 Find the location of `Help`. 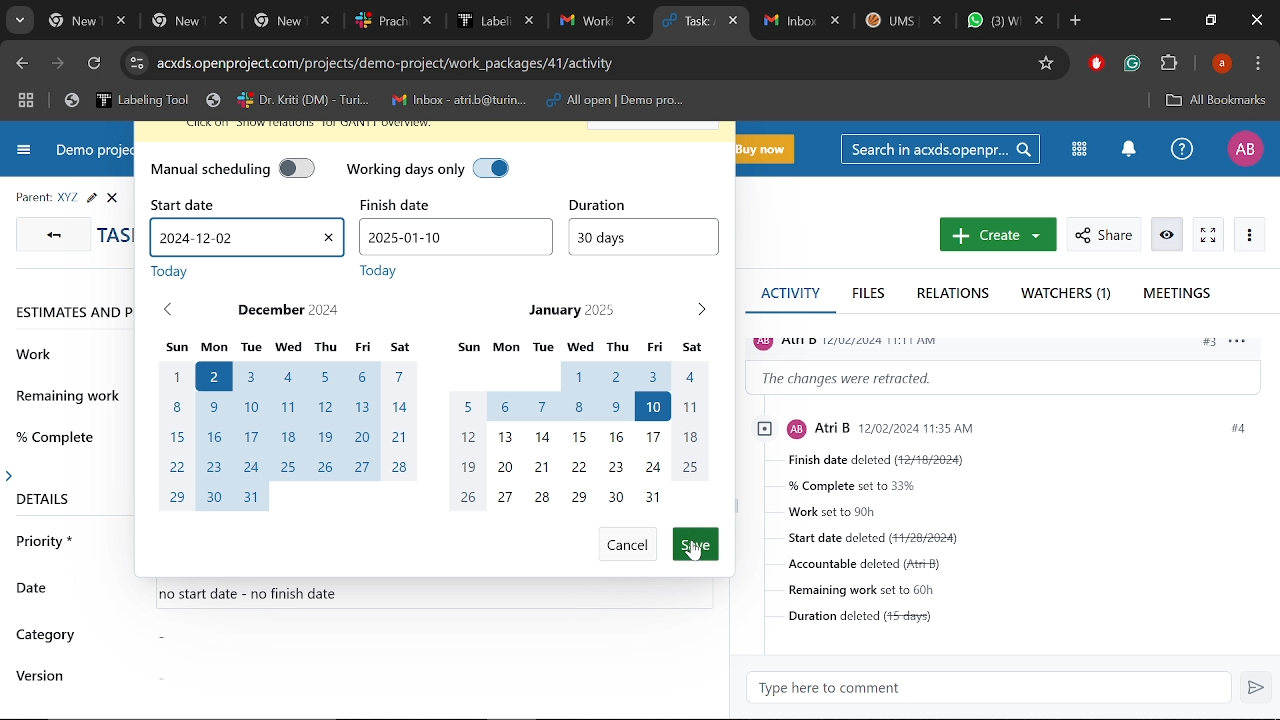

Help is located at coordinates (1179, 149).